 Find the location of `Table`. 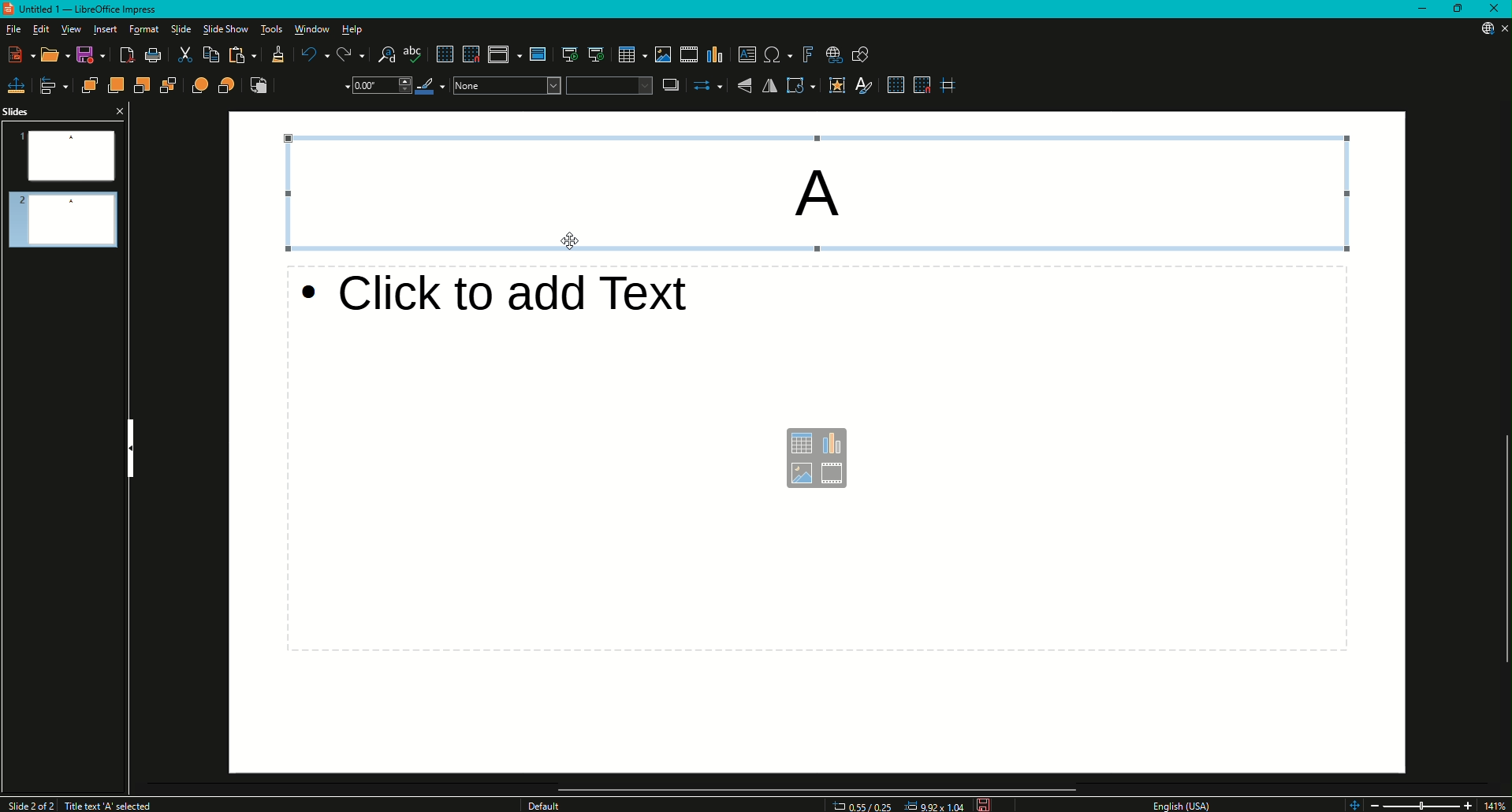

Table is located at coordinates (628, 52).